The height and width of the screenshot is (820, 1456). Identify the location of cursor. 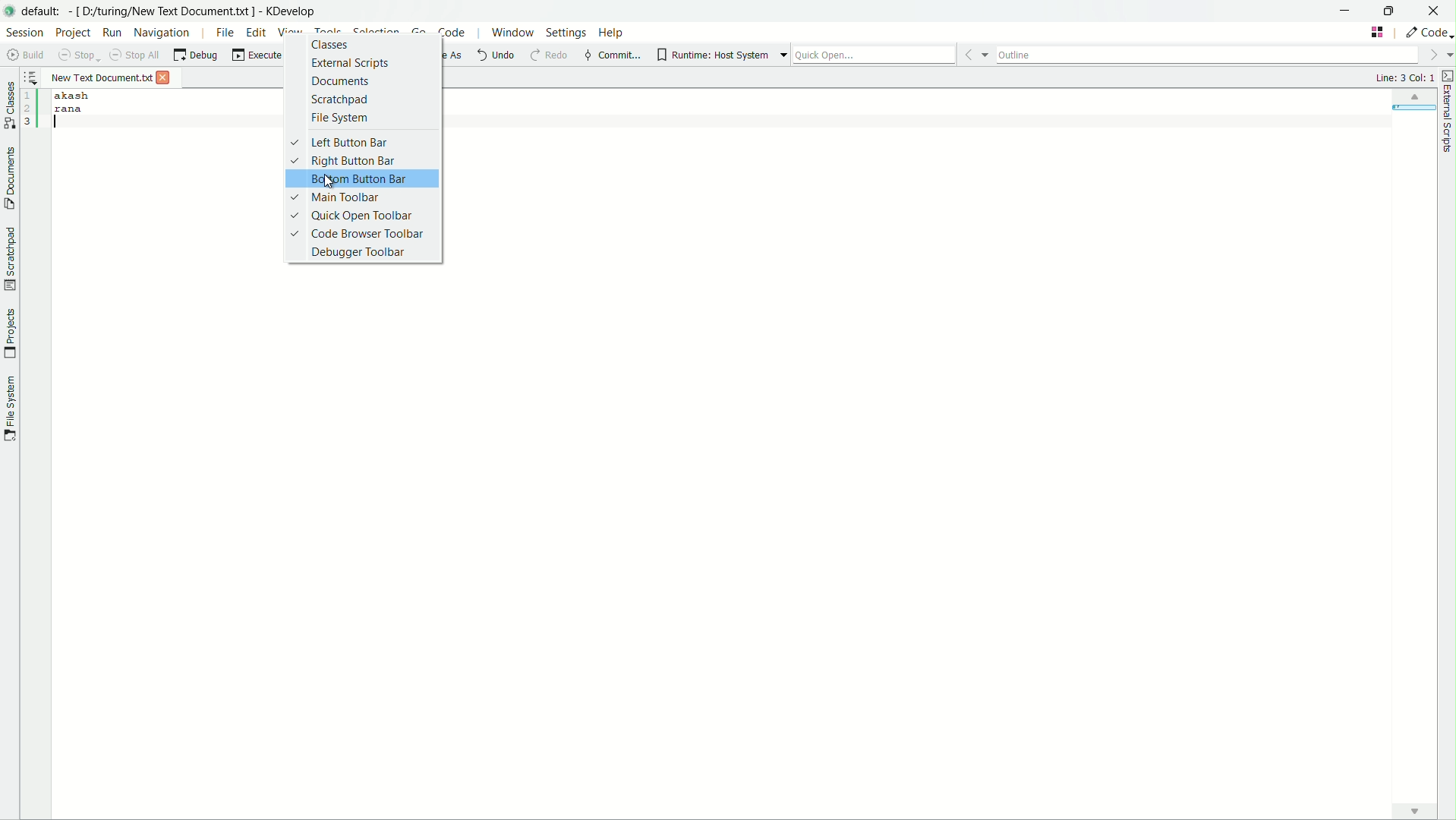
(332, 180).